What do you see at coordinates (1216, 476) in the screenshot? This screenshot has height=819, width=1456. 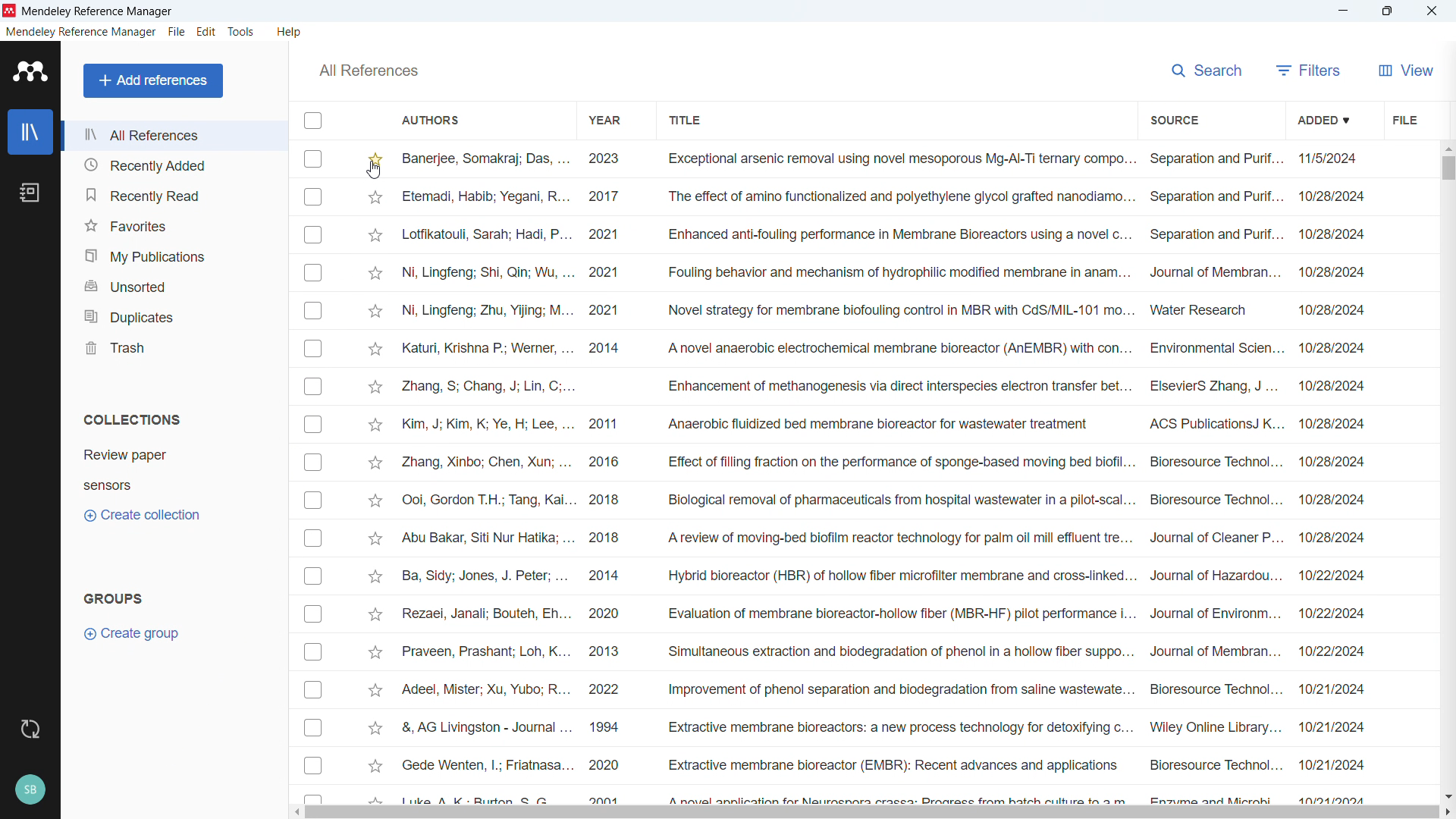 I see `Source of individual entries ` at bounding box center [1216, 476].